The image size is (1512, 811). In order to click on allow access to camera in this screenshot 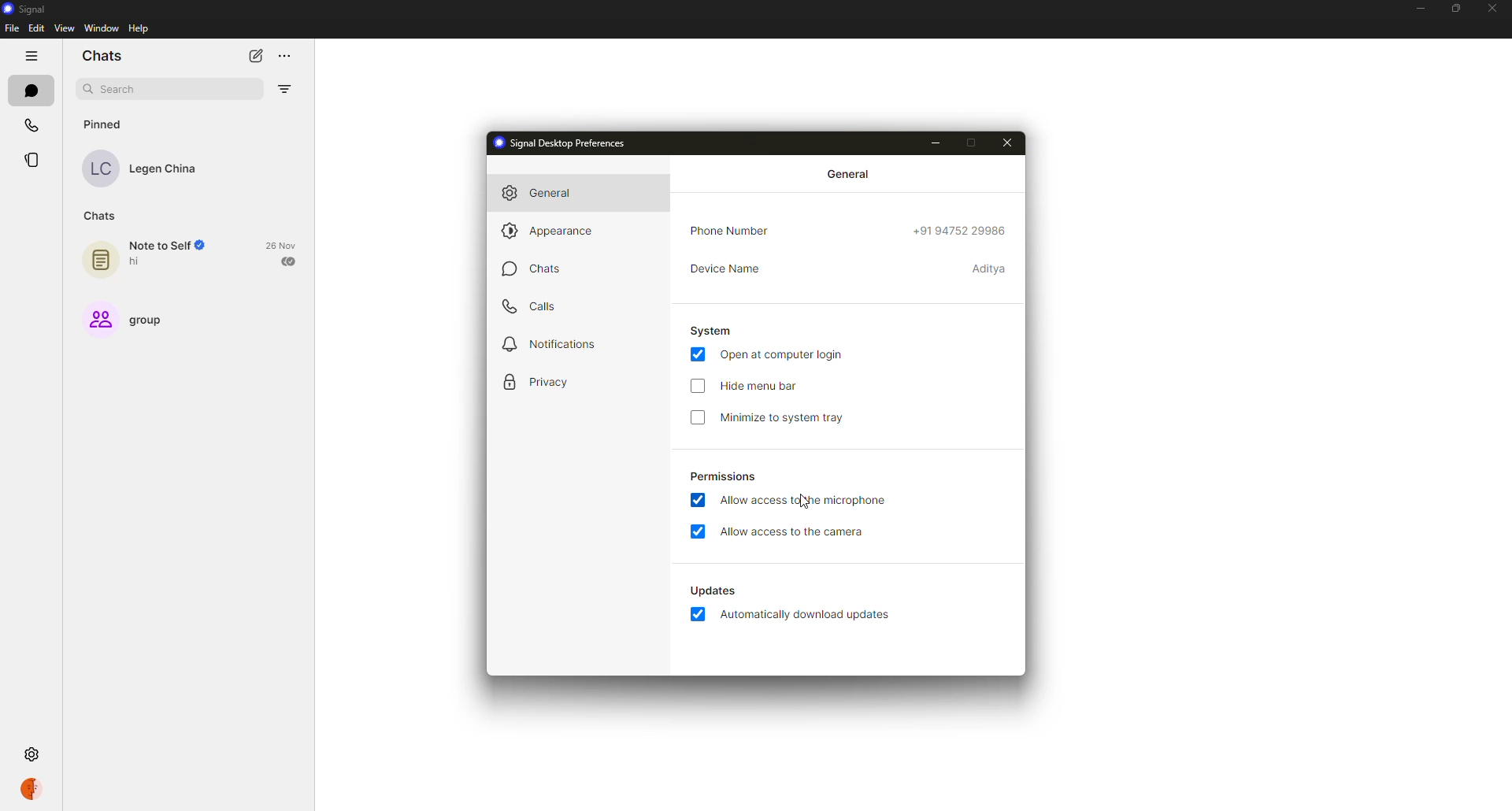, I will do `click(795, 533)`.